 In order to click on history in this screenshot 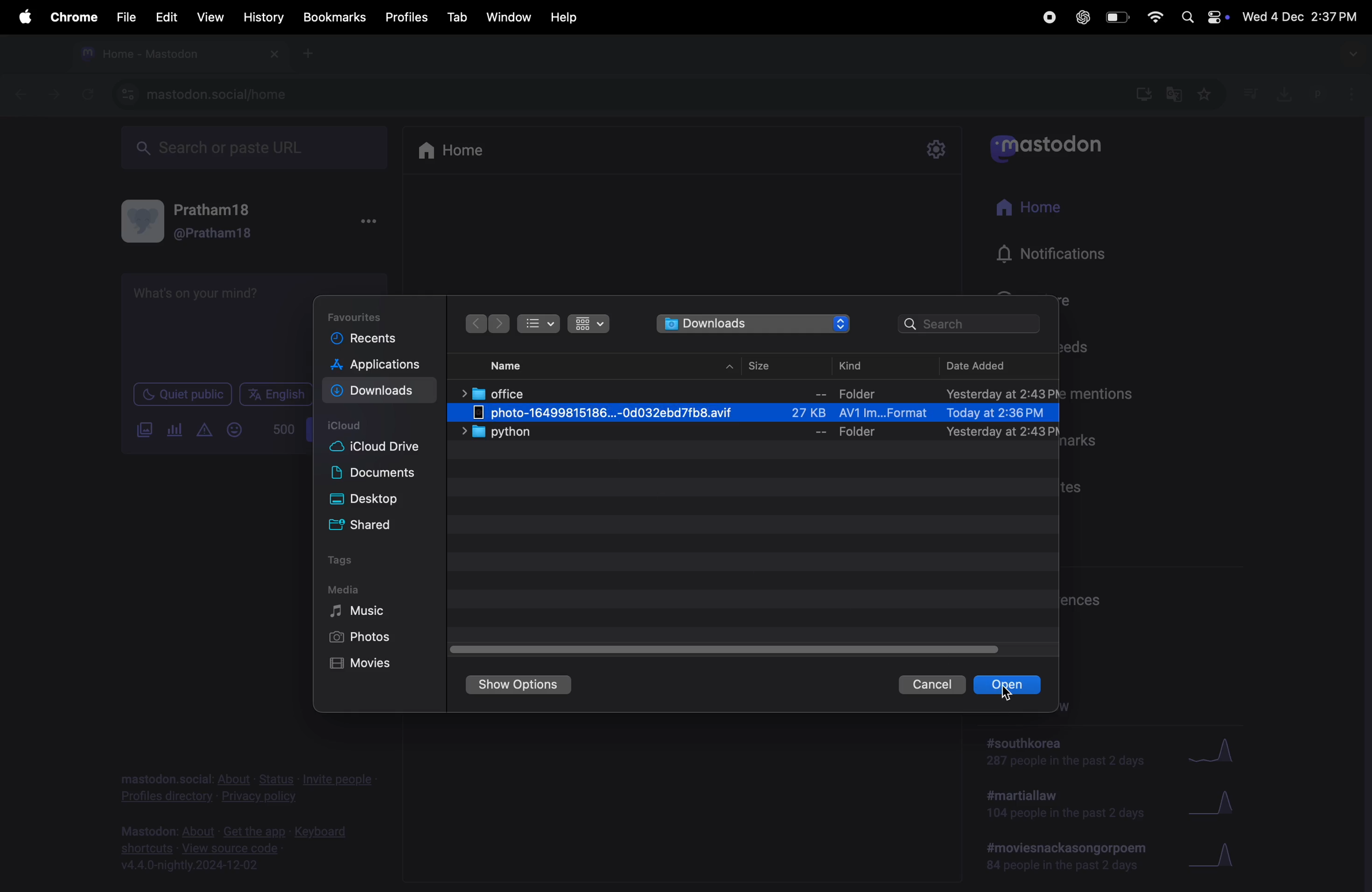, I will do `click(265, 17)`.